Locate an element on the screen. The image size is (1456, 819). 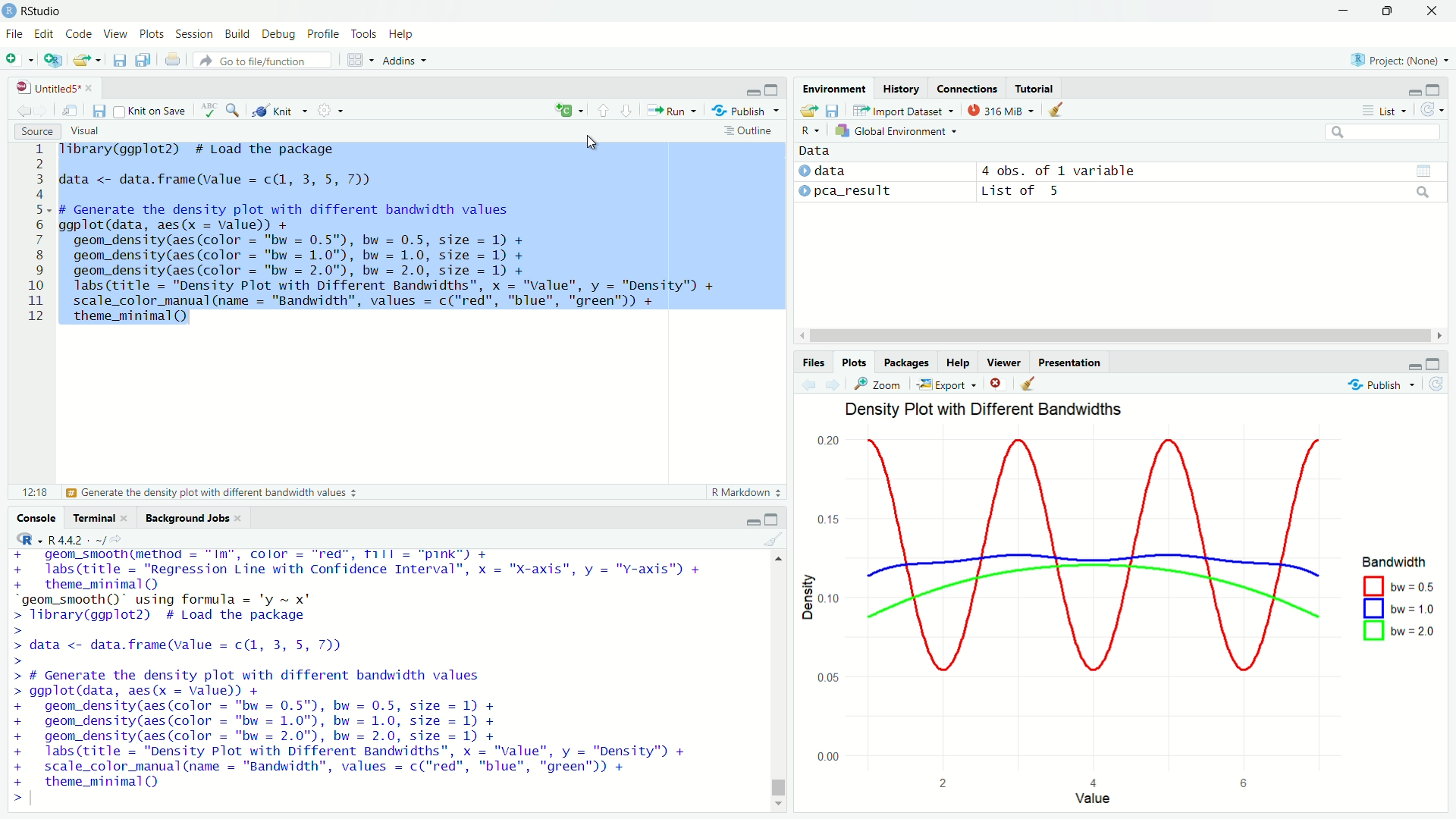
Line numbers is located at coordinates (32, 235).